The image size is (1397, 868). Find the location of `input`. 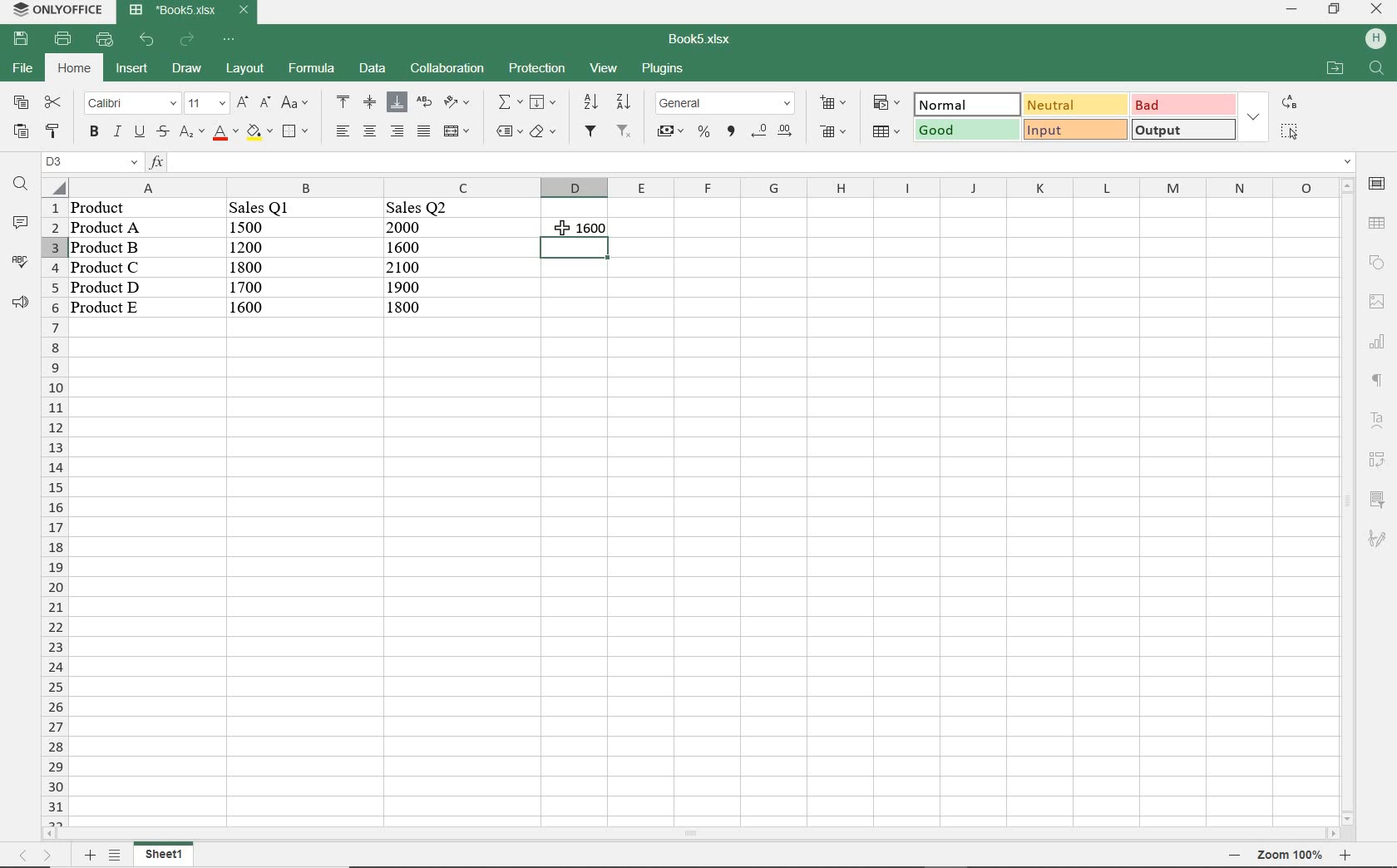

input is located at coordinates (1075, 130).